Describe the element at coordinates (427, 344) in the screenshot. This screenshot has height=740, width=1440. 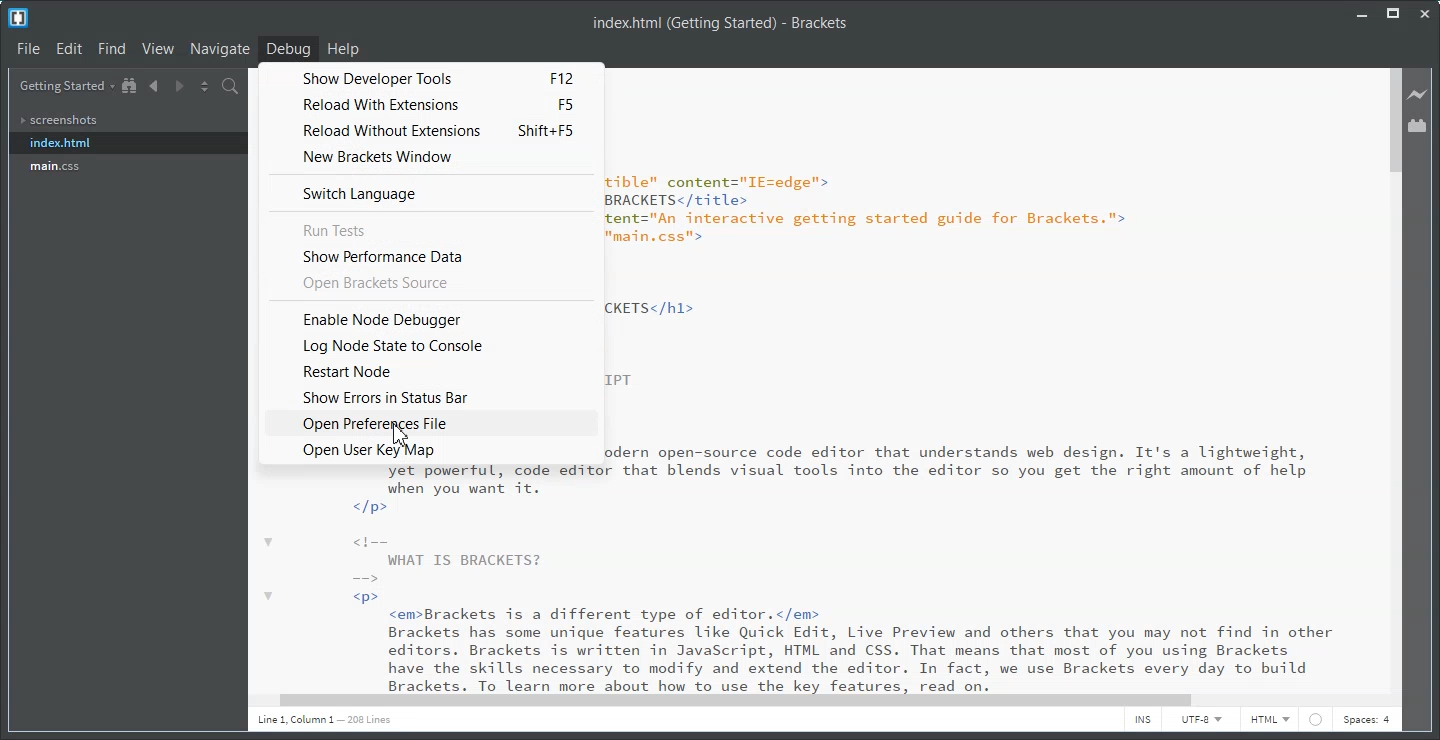
I see `Log Node State to Console` at that location.